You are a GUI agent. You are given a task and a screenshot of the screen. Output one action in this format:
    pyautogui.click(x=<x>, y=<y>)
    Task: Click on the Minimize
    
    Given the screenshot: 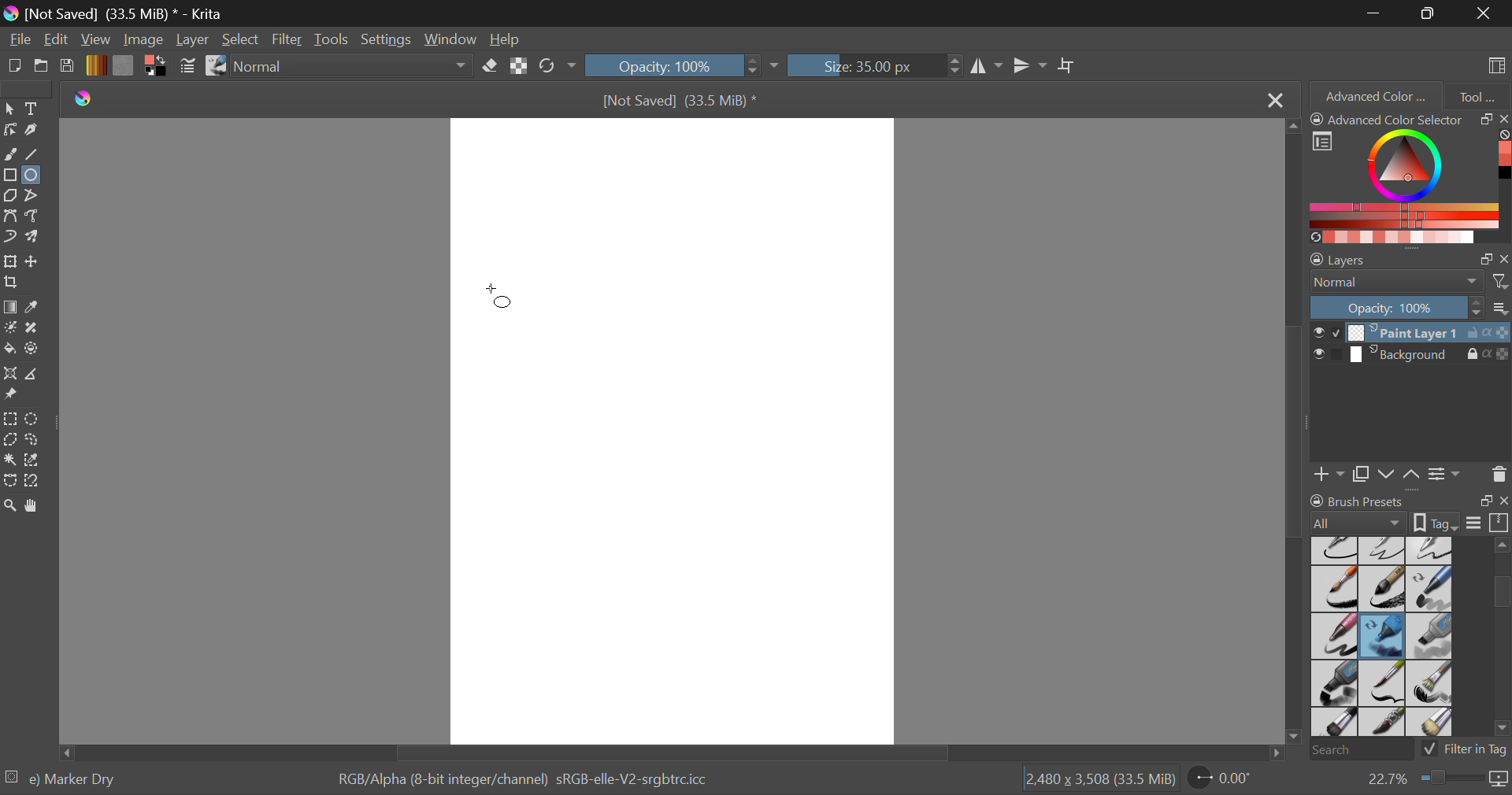 What is the action you would take?
    pyautogui.click(x=1431, y=13)
    